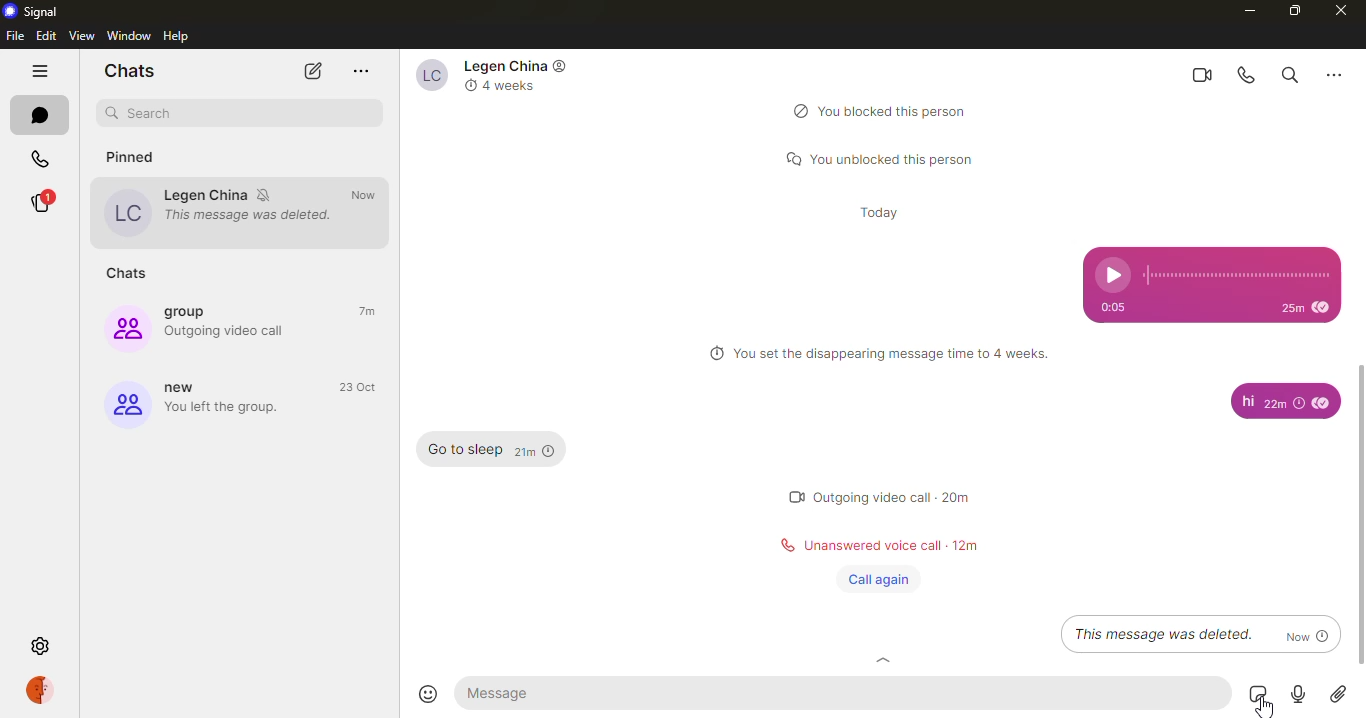 This screenshot has width=1366, height=718. Describe the element at coordinates (42, 115) in the screenshot. I see `chats` at that location.